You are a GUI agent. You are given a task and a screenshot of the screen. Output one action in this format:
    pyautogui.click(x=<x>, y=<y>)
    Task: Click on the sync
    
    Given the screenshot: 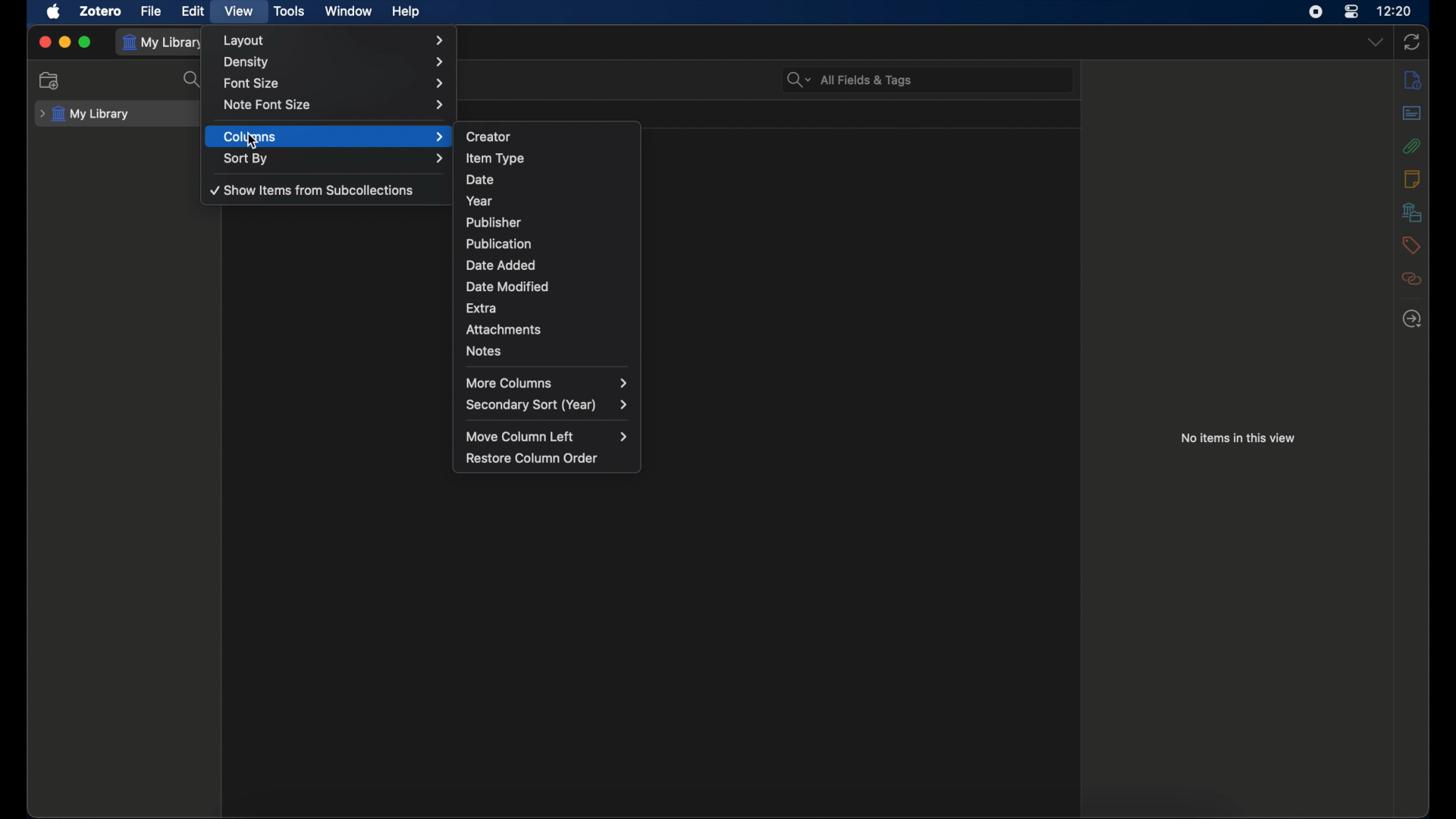 What is the action you would take?
    pyautogui.click(x=1411, y=42)
    